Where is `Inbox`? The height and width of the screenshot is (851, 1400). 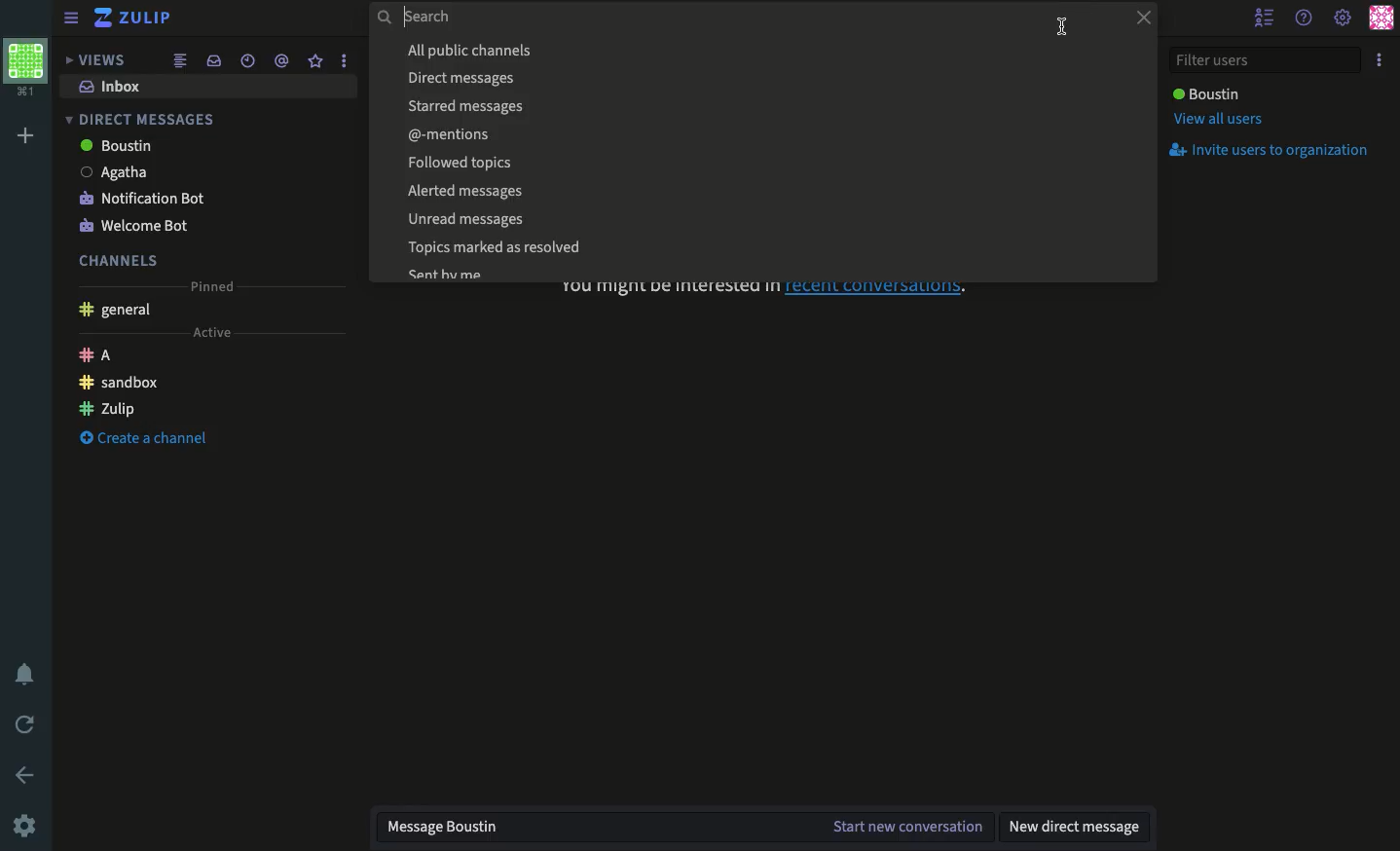 Inbox is located at coordinates (210, 61).